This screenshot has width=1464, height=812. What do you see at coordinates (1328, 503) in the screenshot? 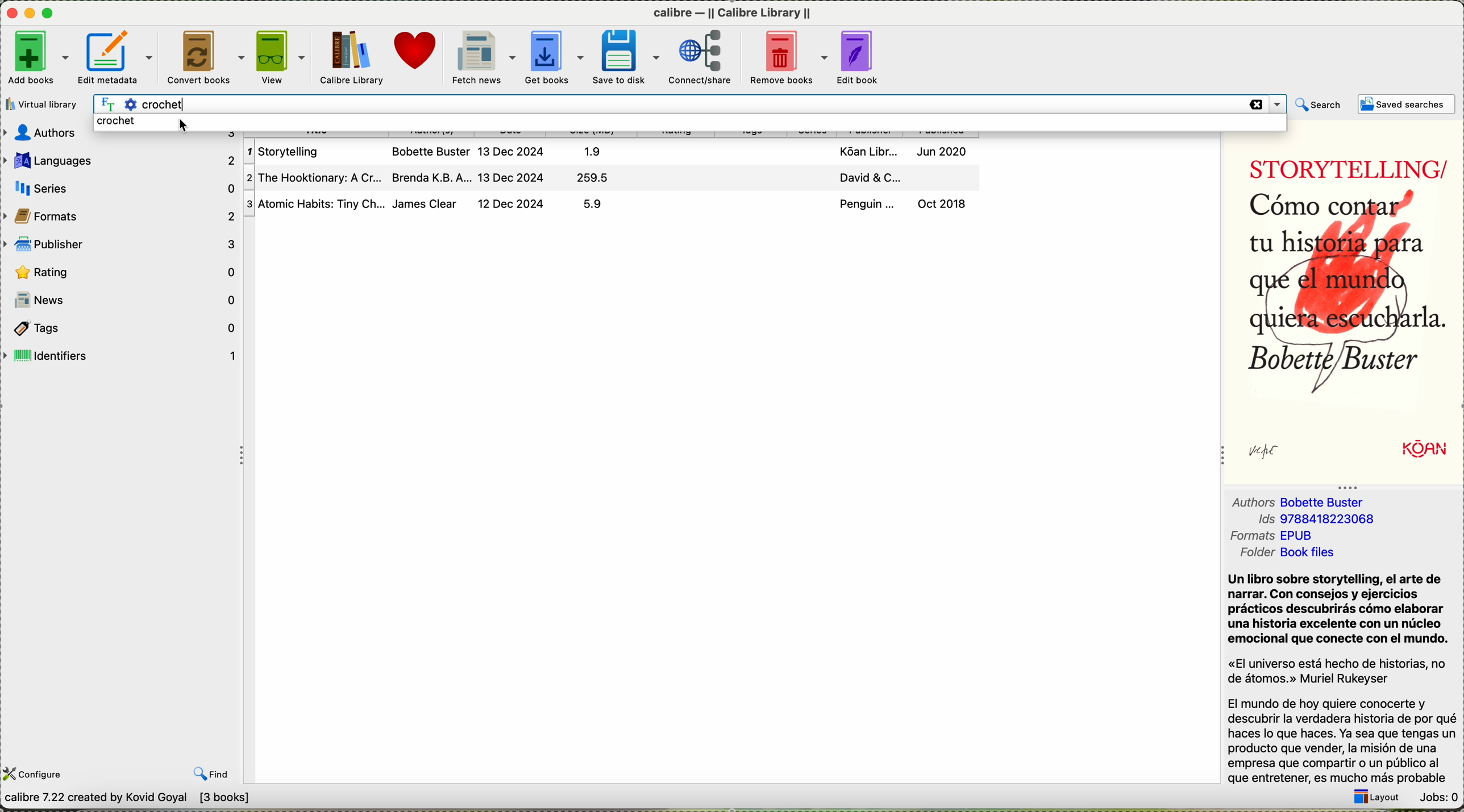
I see `Bobettle Buster` at bounding box center [1328, 503].